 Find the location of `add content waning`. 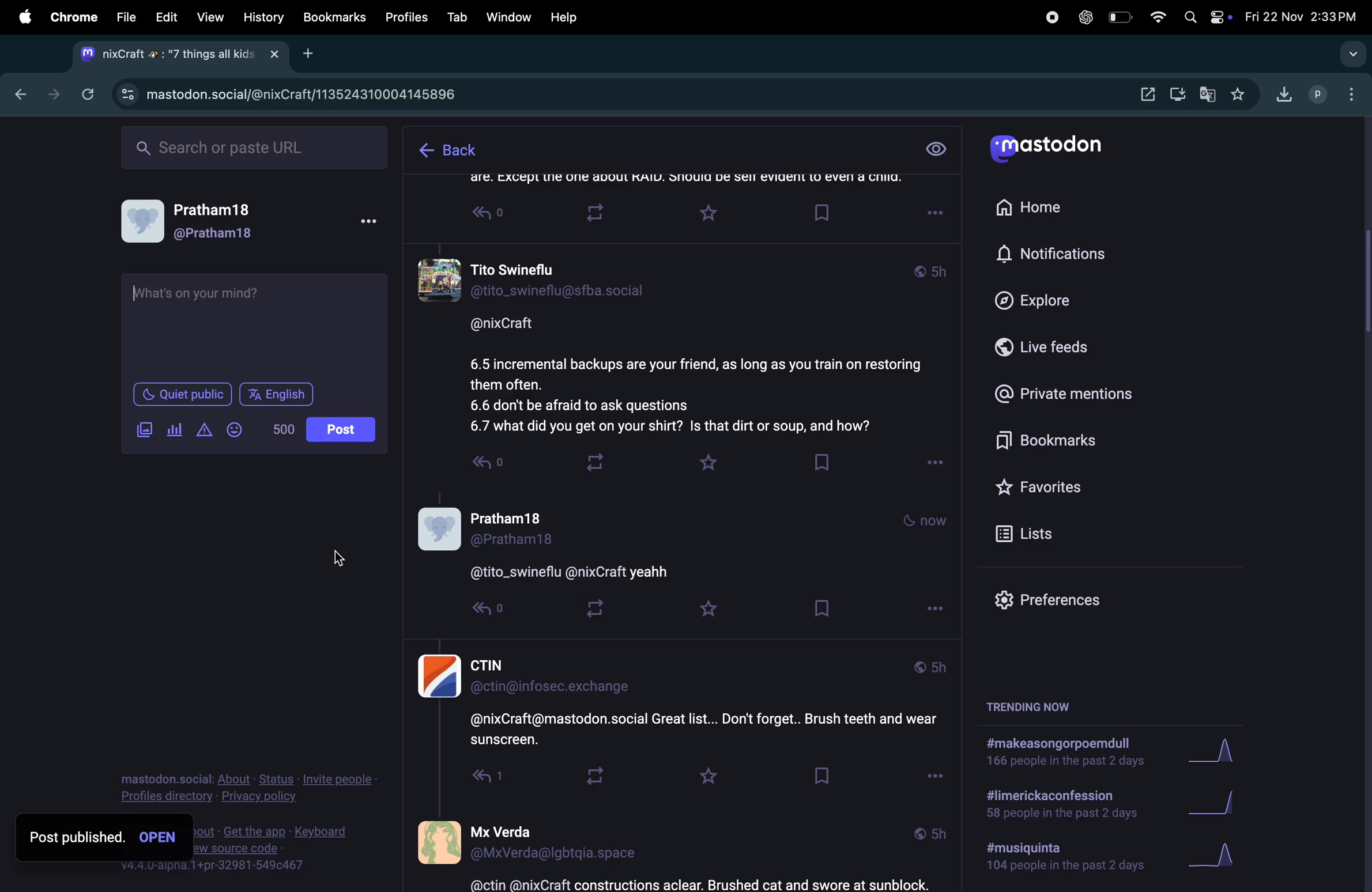

add content waning is located at coordinates (203, 430).